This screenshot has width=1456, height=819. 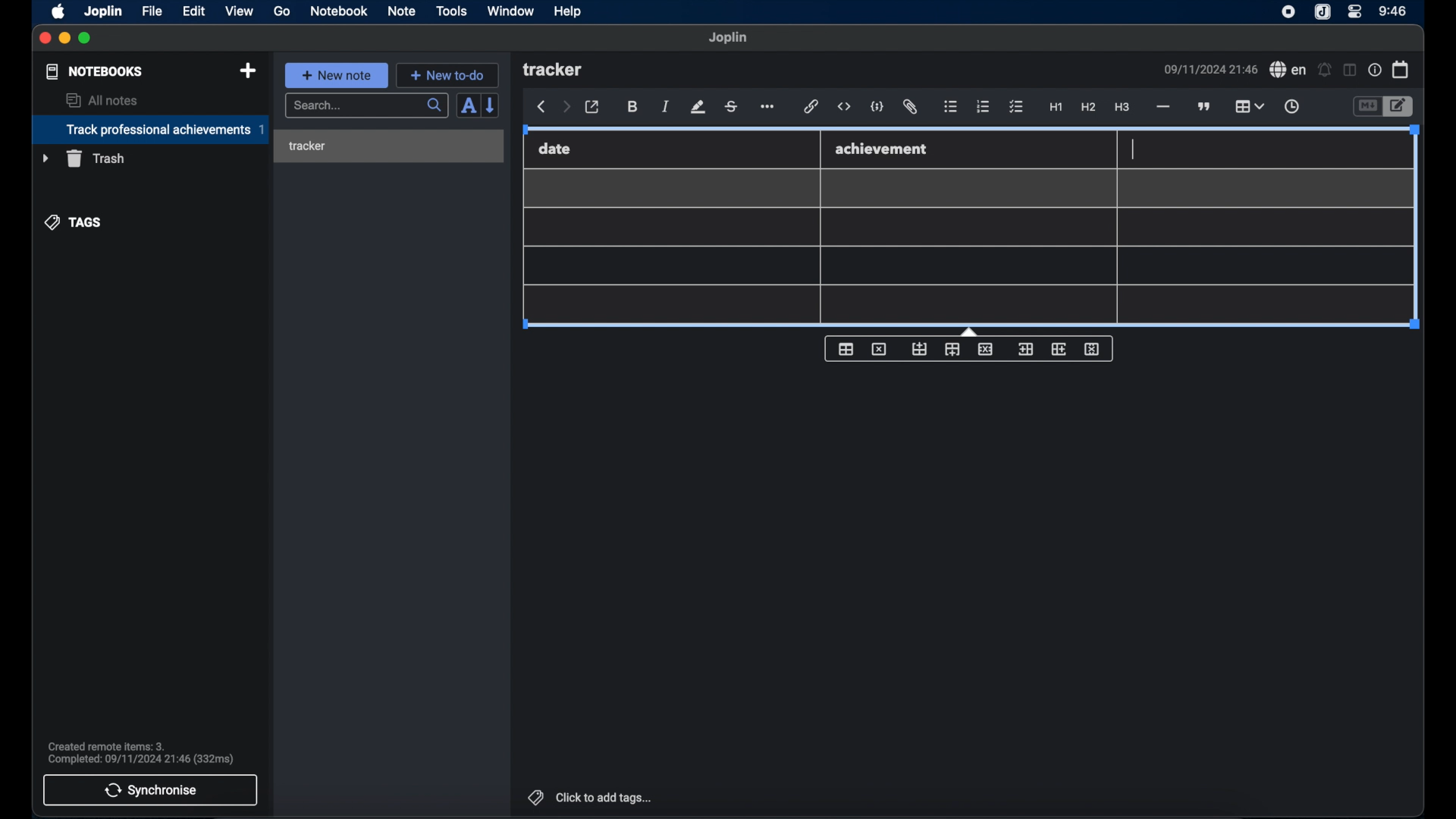 I want to click on delet table, so click(x=879, y=348).